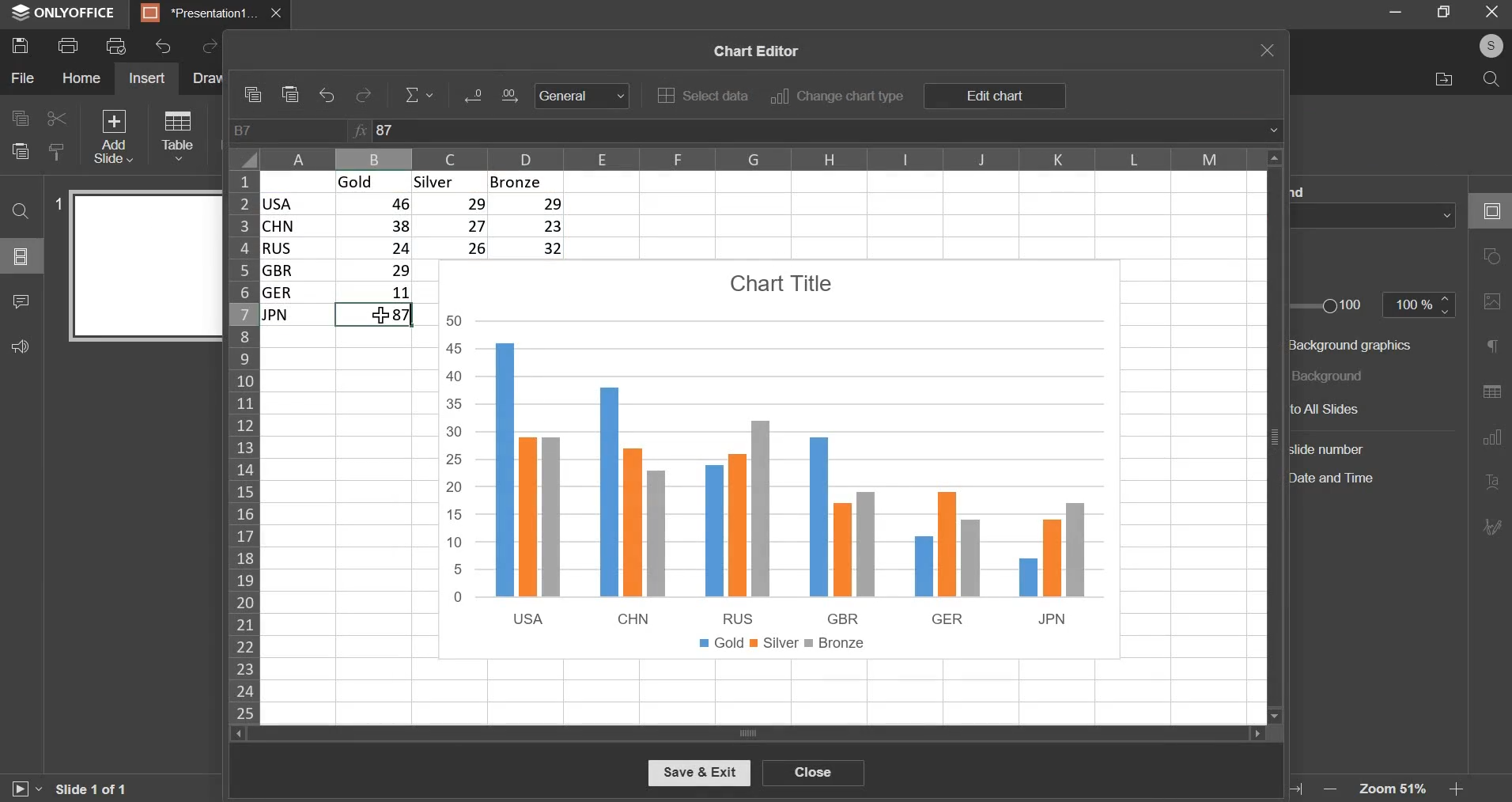 This screenshot has width=1512, height=802. I want to click on start slide show, so click(25, 789).